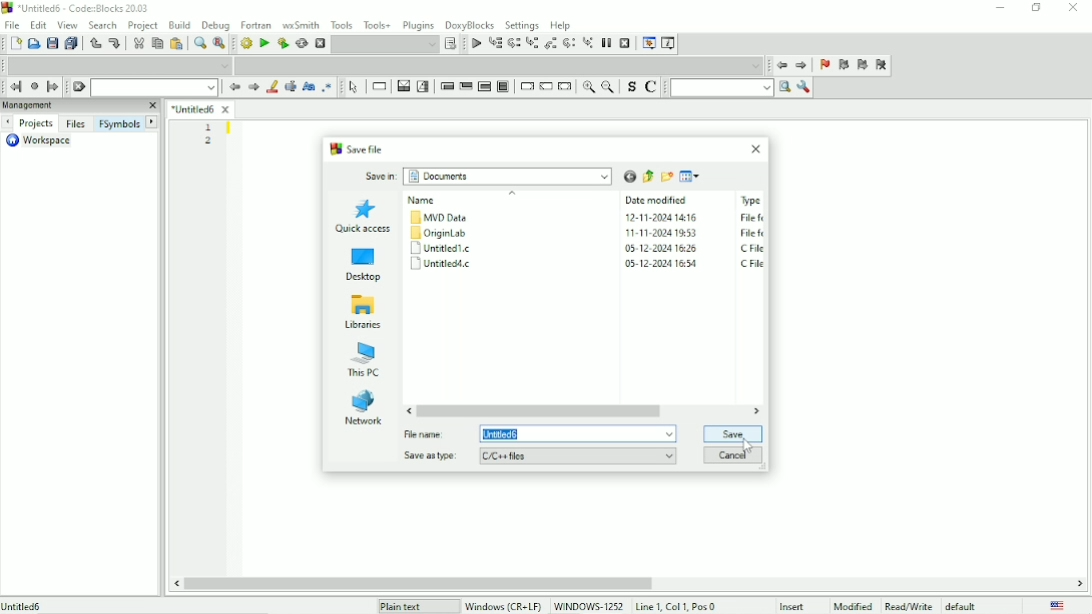 The image size is (1092, 614). Describe the element at coordinates (24, 605) in the screenshot. I see `File name` at that location.